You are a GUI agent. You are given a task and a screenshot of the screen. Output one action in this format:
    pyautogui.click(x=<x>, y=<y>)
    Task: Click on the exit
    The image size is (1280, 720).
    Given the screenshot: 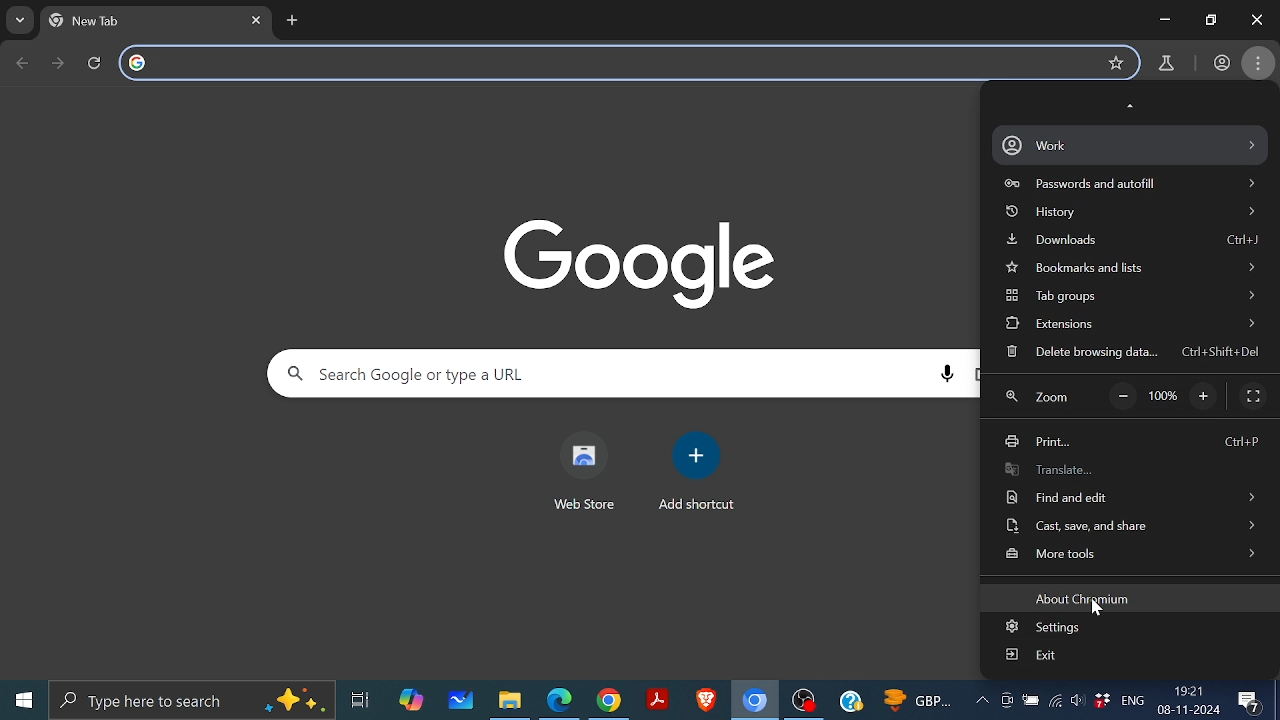 What is the action you would take?
    pyautogui.click(x=1032, y=655)
    